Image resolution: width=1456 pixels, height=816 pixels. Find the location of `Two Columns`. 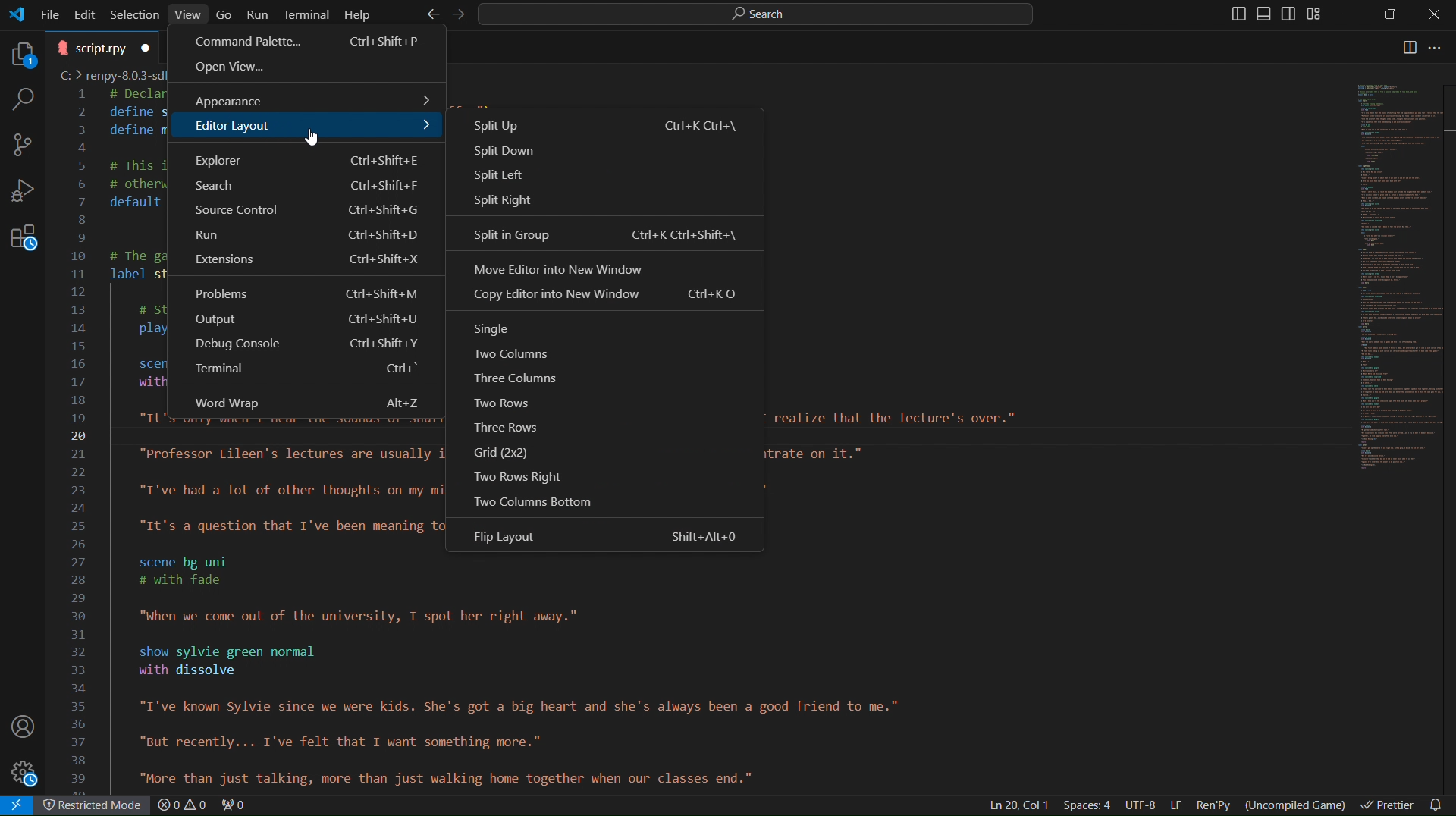

Two Columns is located at coordinates (512, 353).